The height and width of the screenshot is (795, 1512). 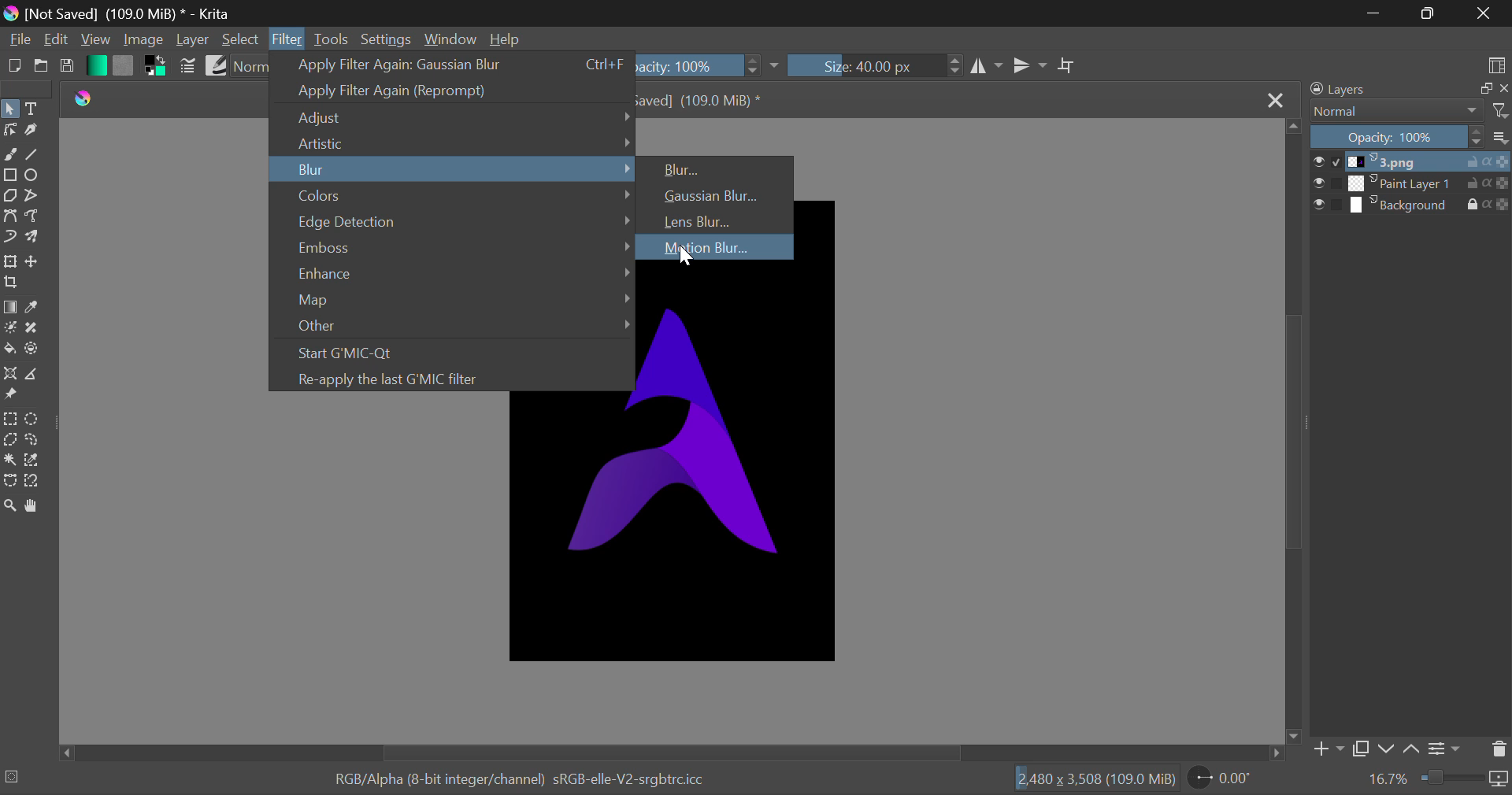 What do you see at coordinates (134, 13) in the screenshot?
I see `[Not Saved] (109.0 MiB) * - Krita` at bounding box center [134, 13].